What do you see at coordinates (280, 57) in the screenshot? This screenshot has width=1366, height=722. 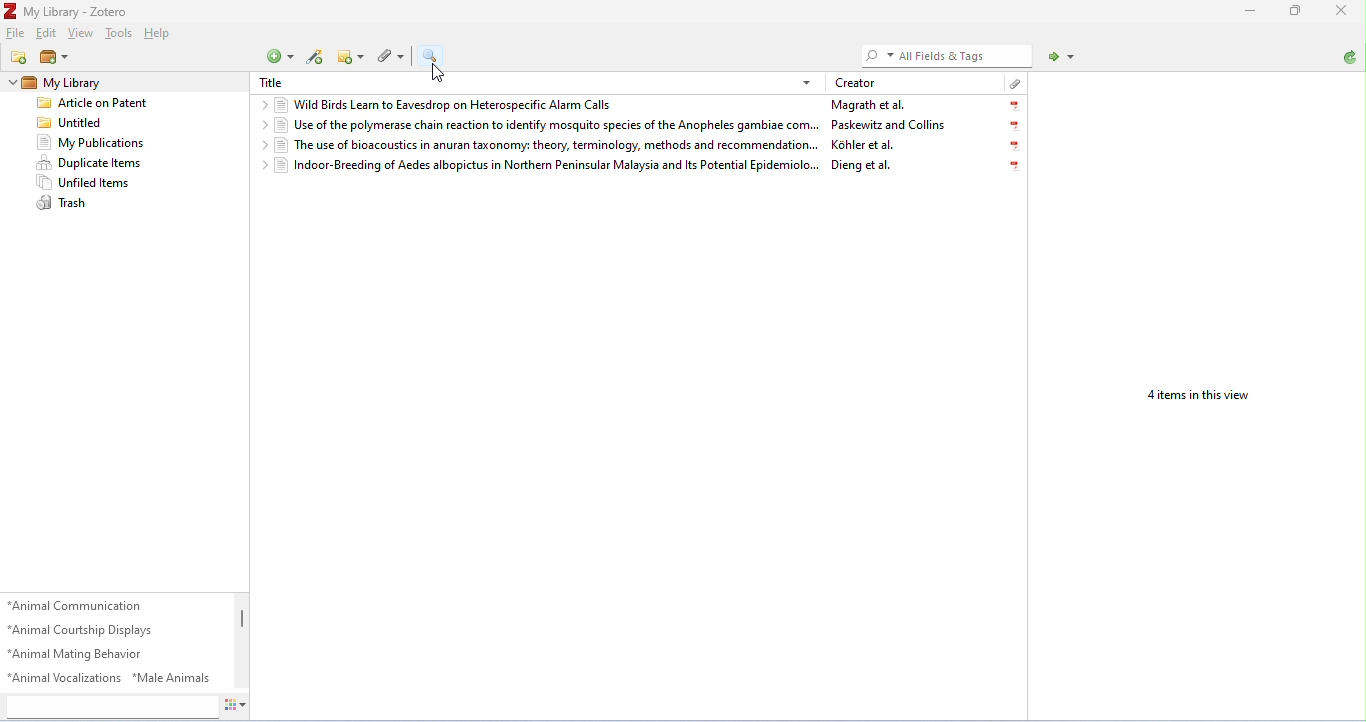 I see `new item` at bounding box center [280, 57].